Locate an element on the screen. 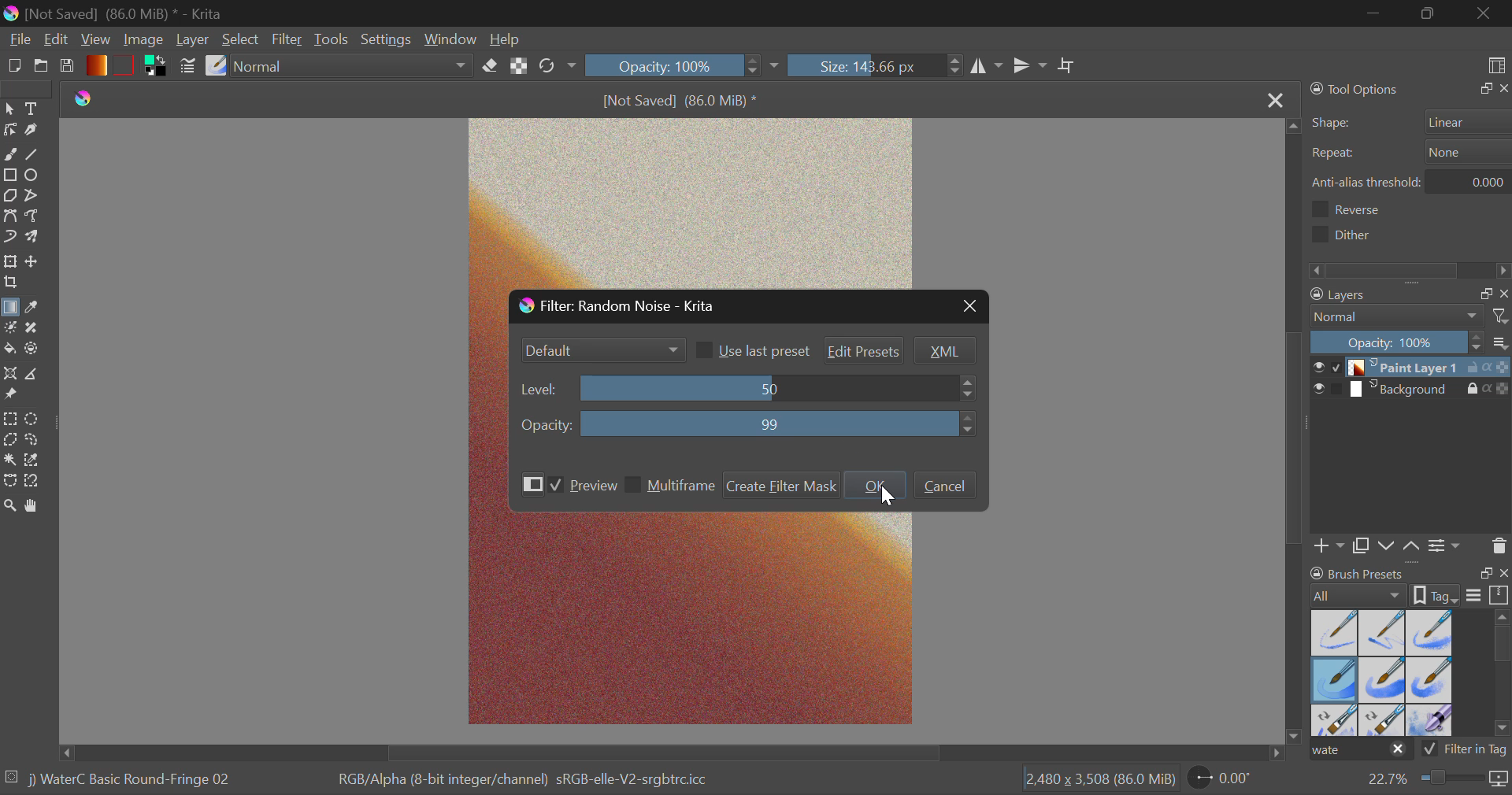 This screenshot has height=795, width=1512. Page Rotation is located at coordinates (1228, 780).